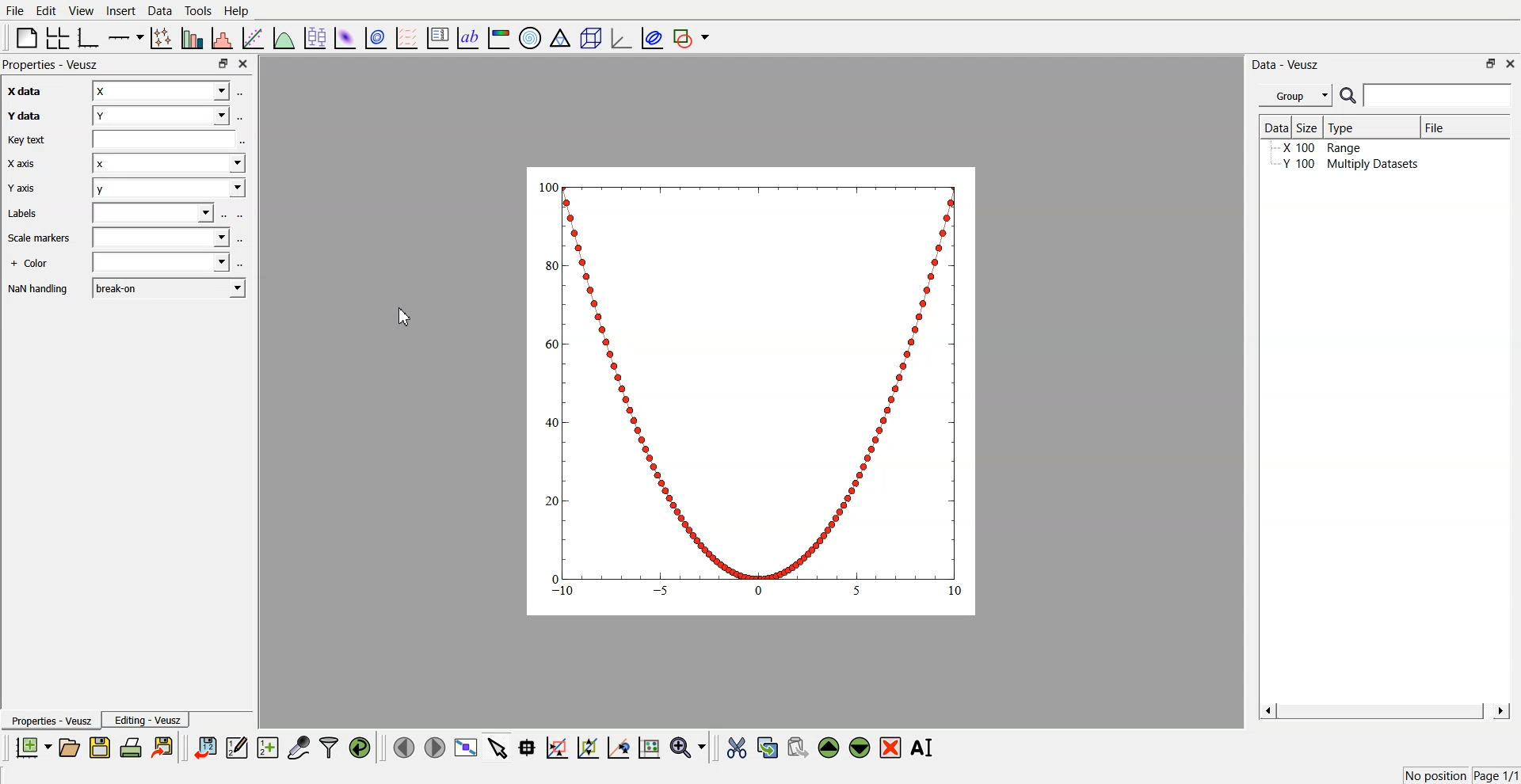  What do you see at coordinates (27, 214) in the screenshot?
I see `labels` at bounding box center [27, 214].